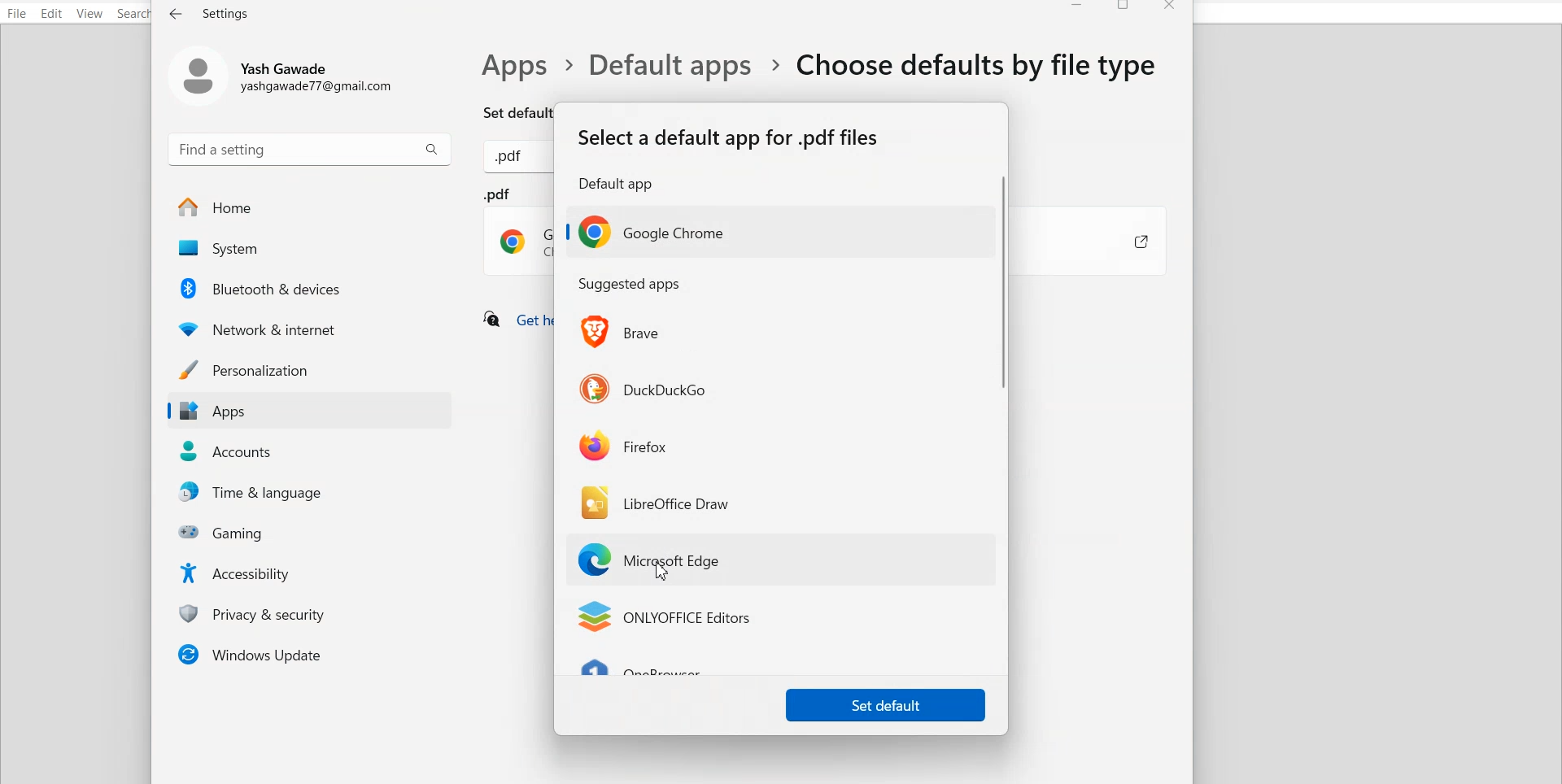 Image resolution: width=1562 pixels, height=784 pixels. Describe the element at coordinates (625, 445) in the screenshot. I see `Firefox` at that location.